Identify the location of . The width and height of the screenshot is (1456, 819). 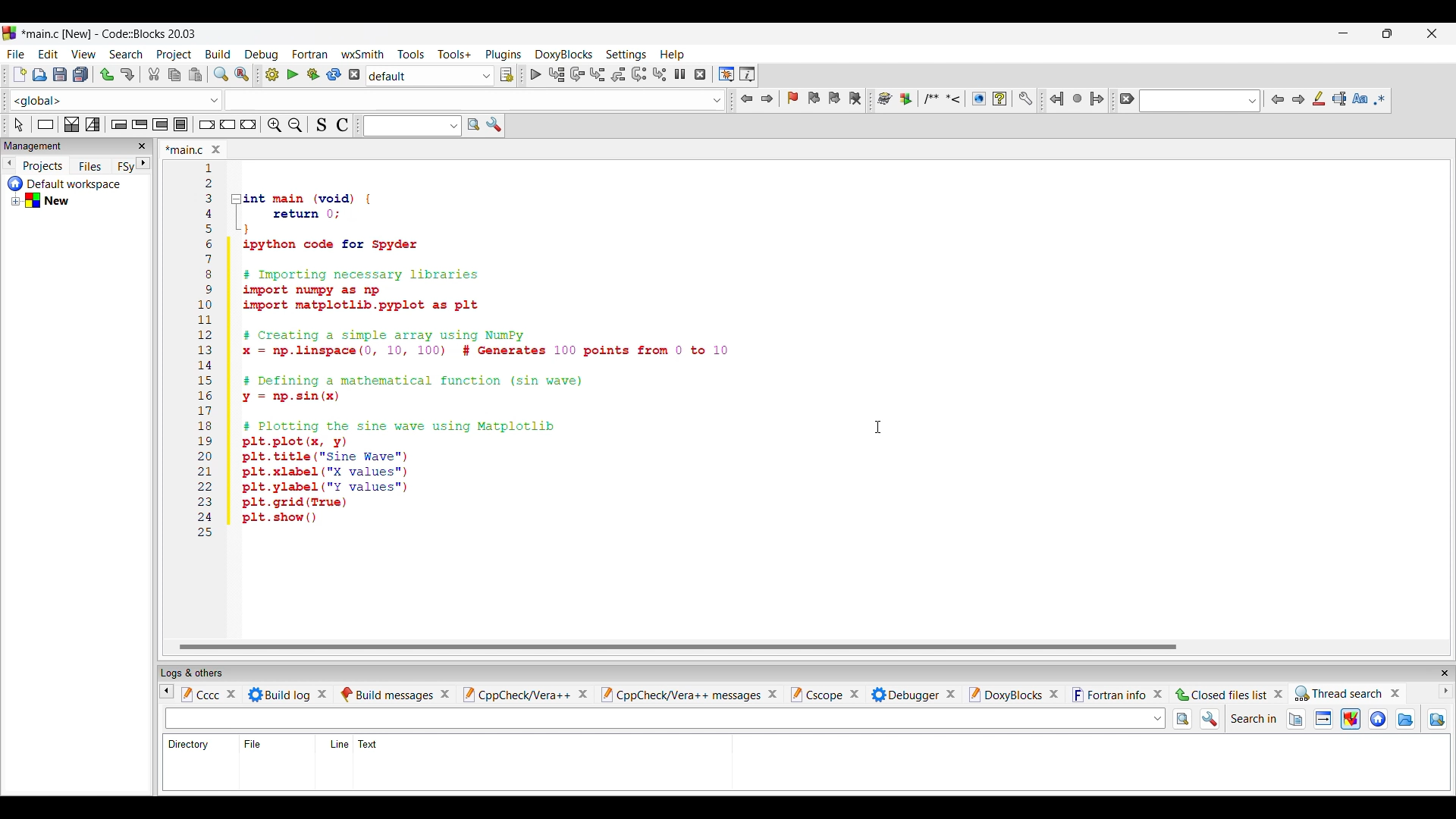
(292, 693).